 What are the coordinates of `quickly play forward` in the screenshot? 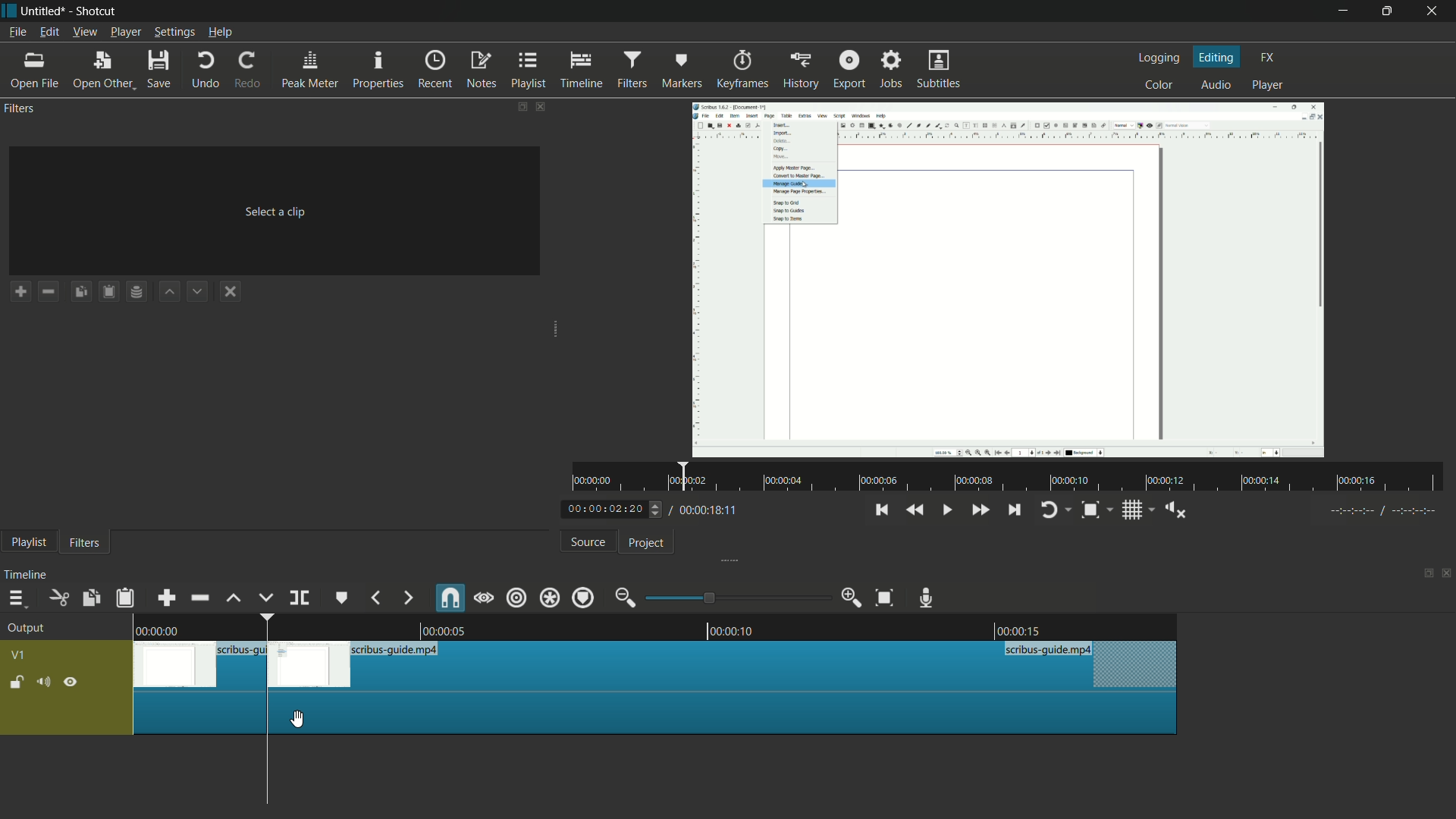 It's located at (981, 510).